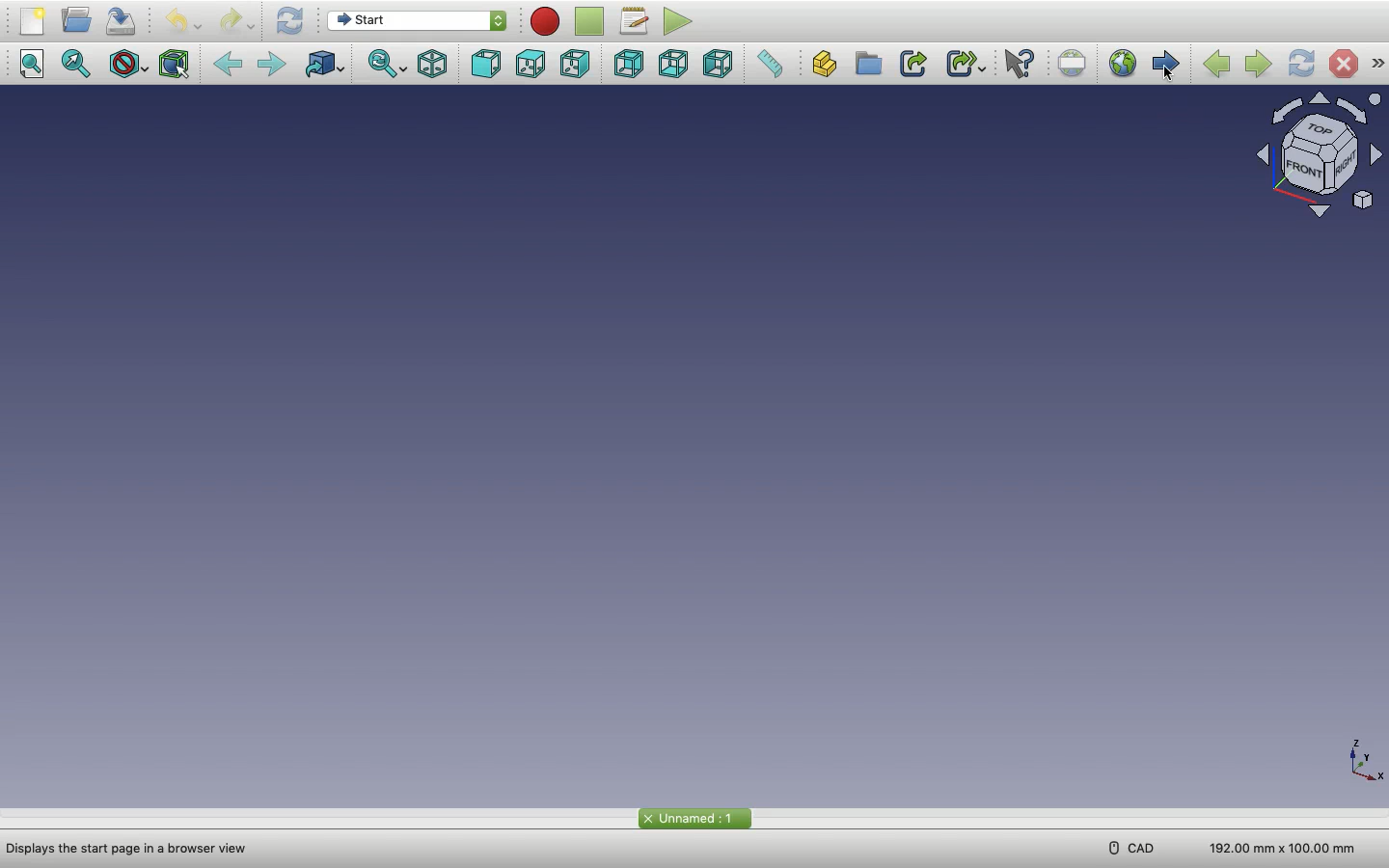  I want to click on Make link, so click(915, 65).